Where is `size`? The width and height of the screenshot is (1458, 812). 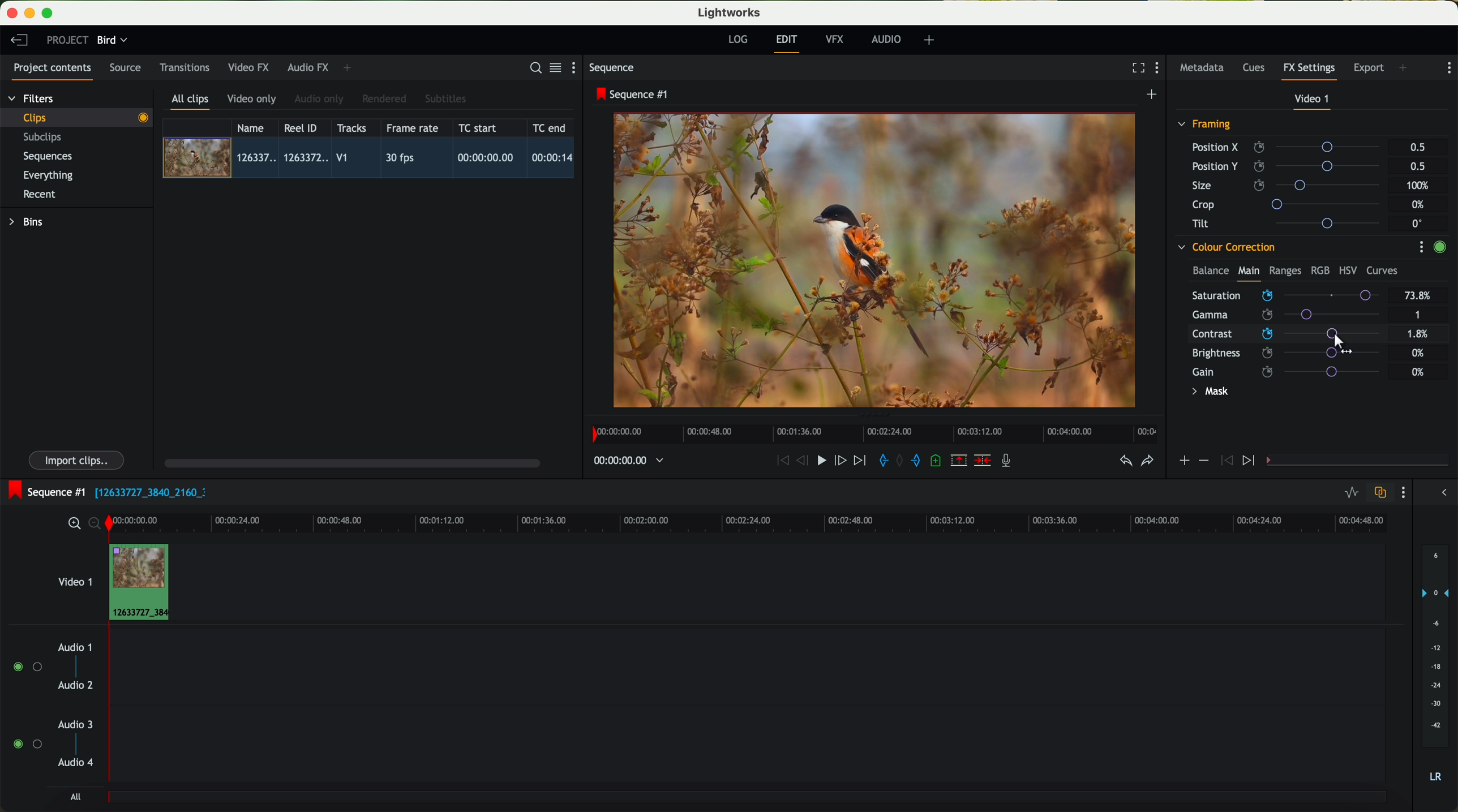 size is located at coordinates (1289, 186).